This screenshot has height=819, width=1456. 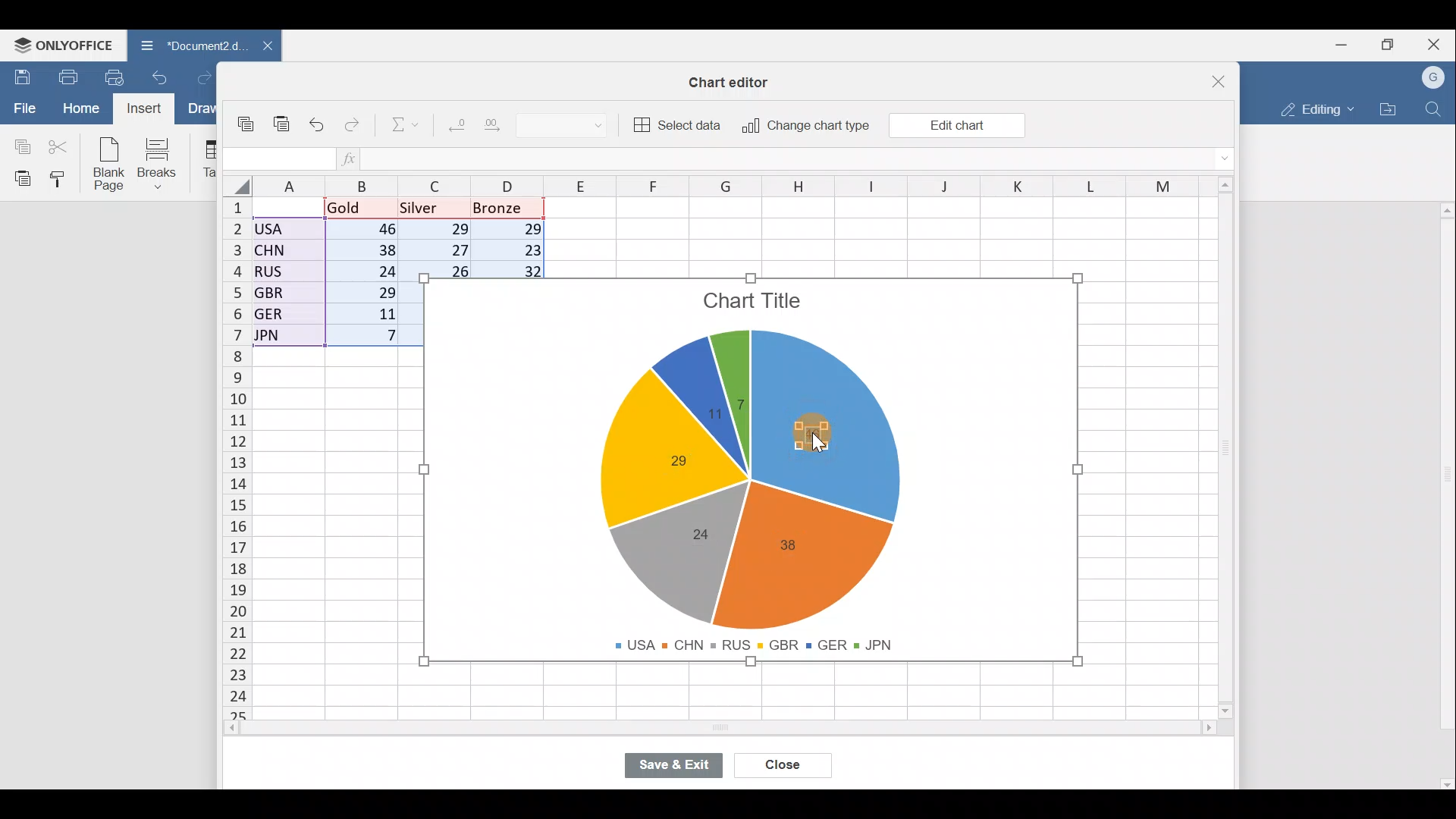 I want to click on Draw, so click(x=206, y=110).